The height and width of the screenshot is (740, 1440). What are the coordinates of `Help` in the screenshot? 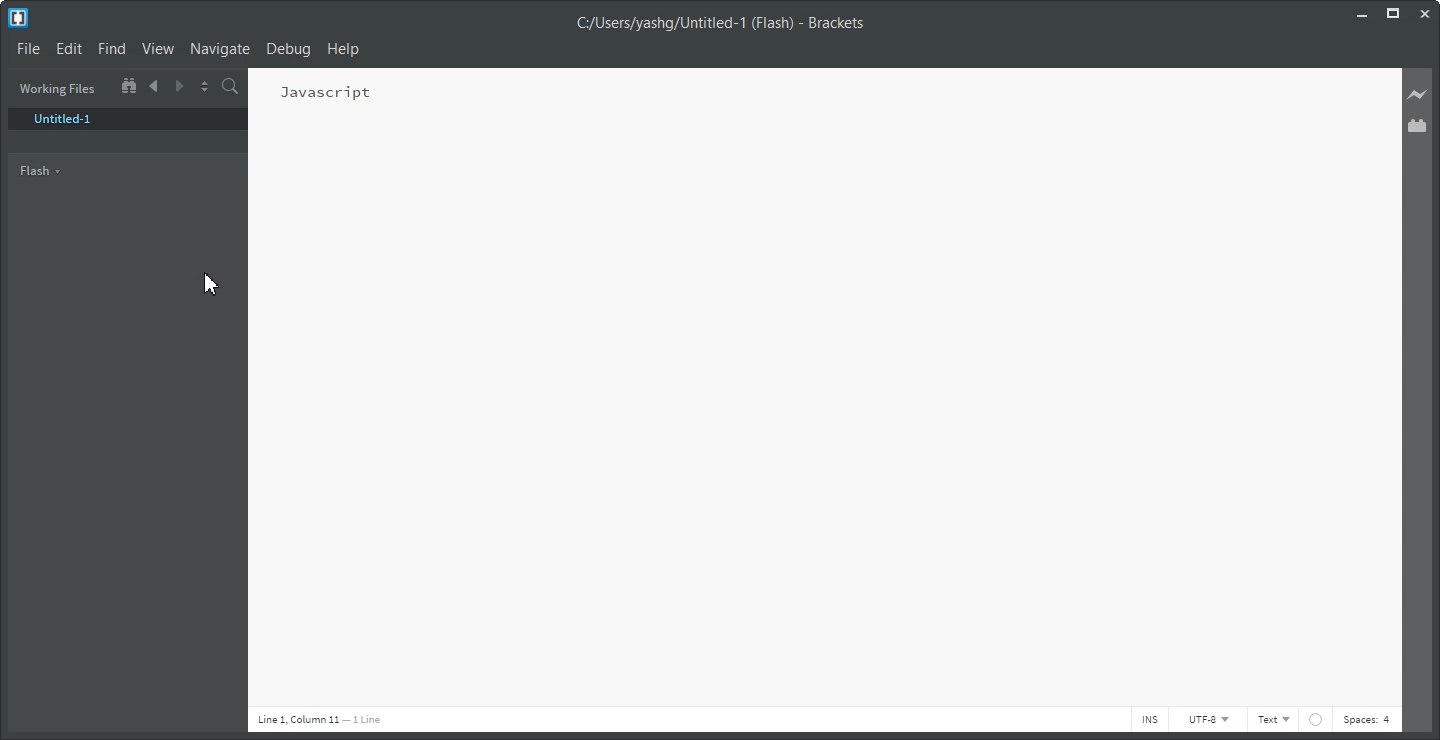 It's located at (344, 49).